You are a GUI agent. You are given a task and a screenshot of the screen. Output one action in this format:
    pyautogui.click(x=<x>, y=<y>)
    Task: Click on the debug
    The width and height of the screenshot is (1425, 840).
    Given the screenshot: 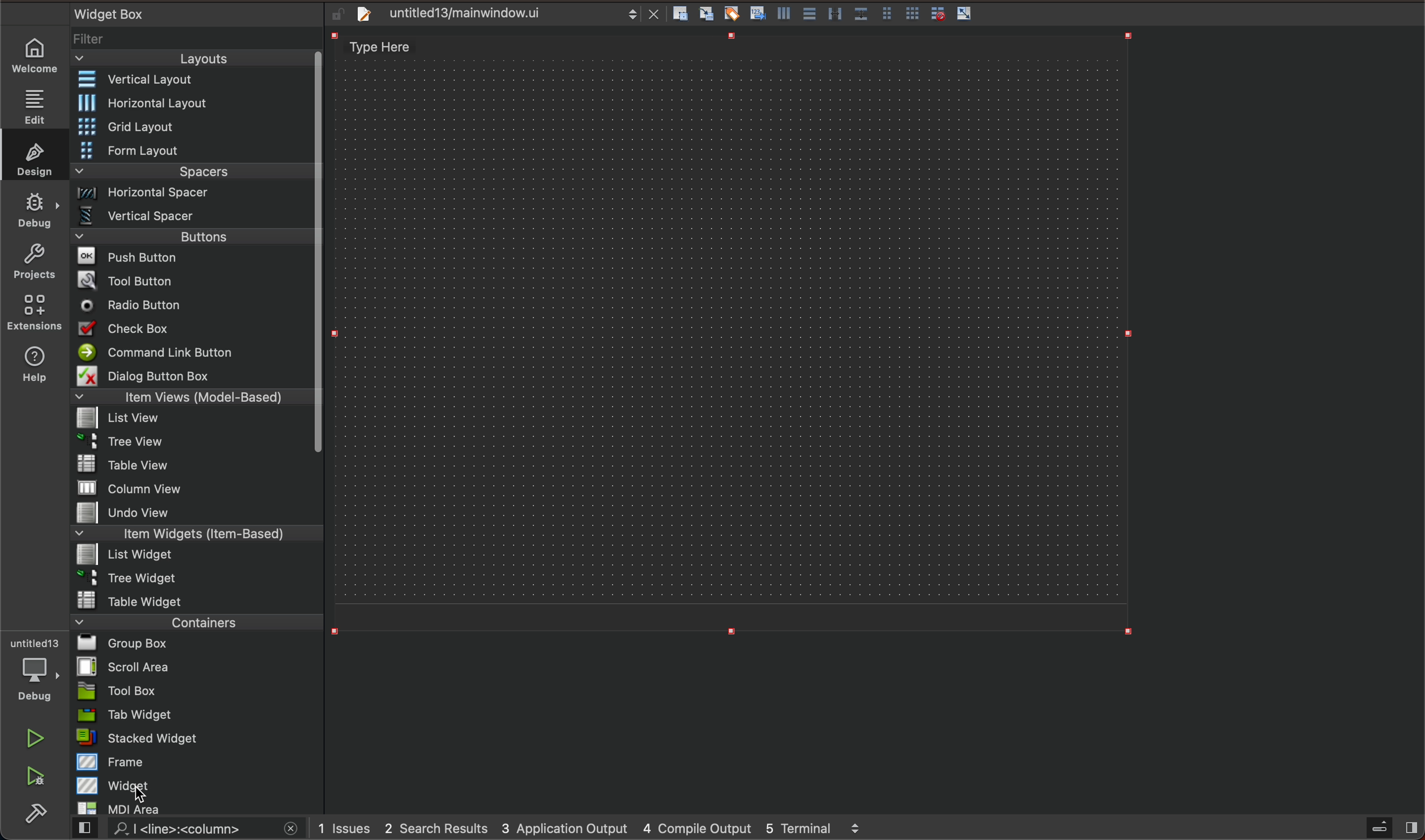 What is the action you would take?
    pyautogui.click(x=32, y=671)
    